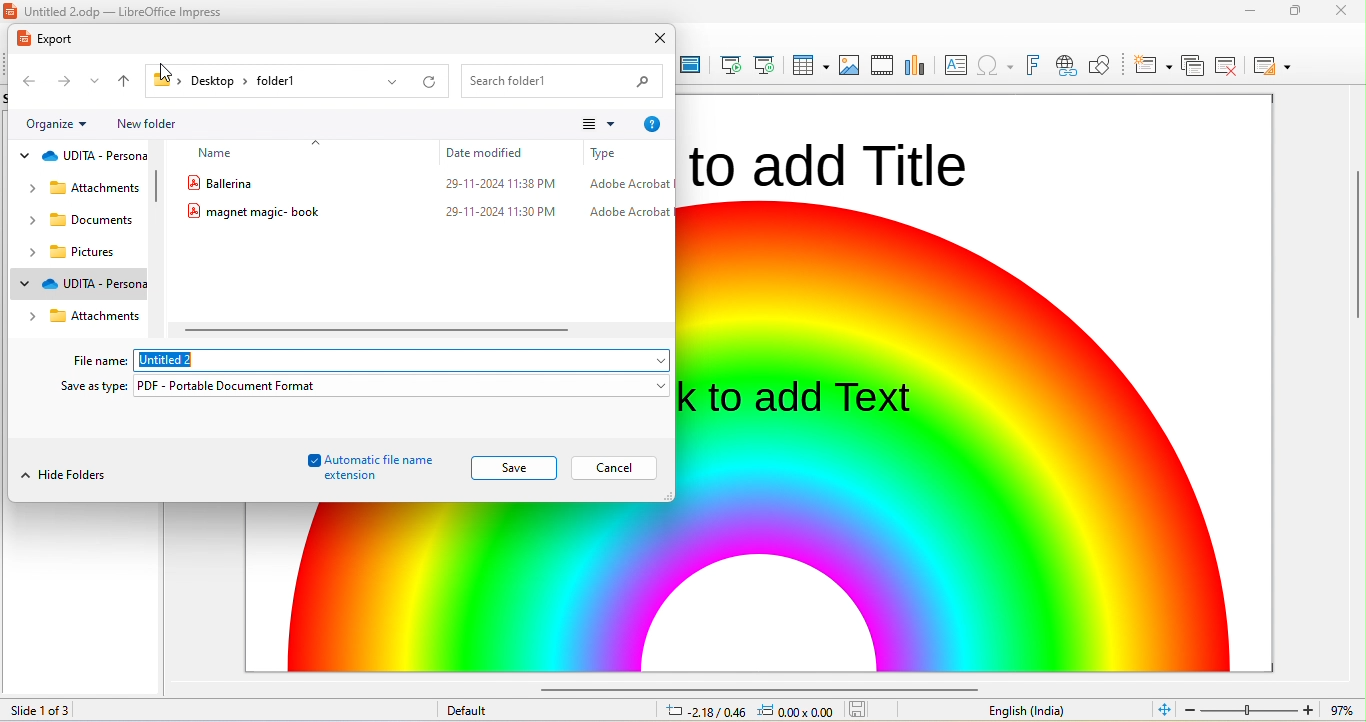 The image size is (1366, 722). What do you see at coordinates (727, 63) in the screenshot?
I see `start from current ` at bounding box center [727, 63].